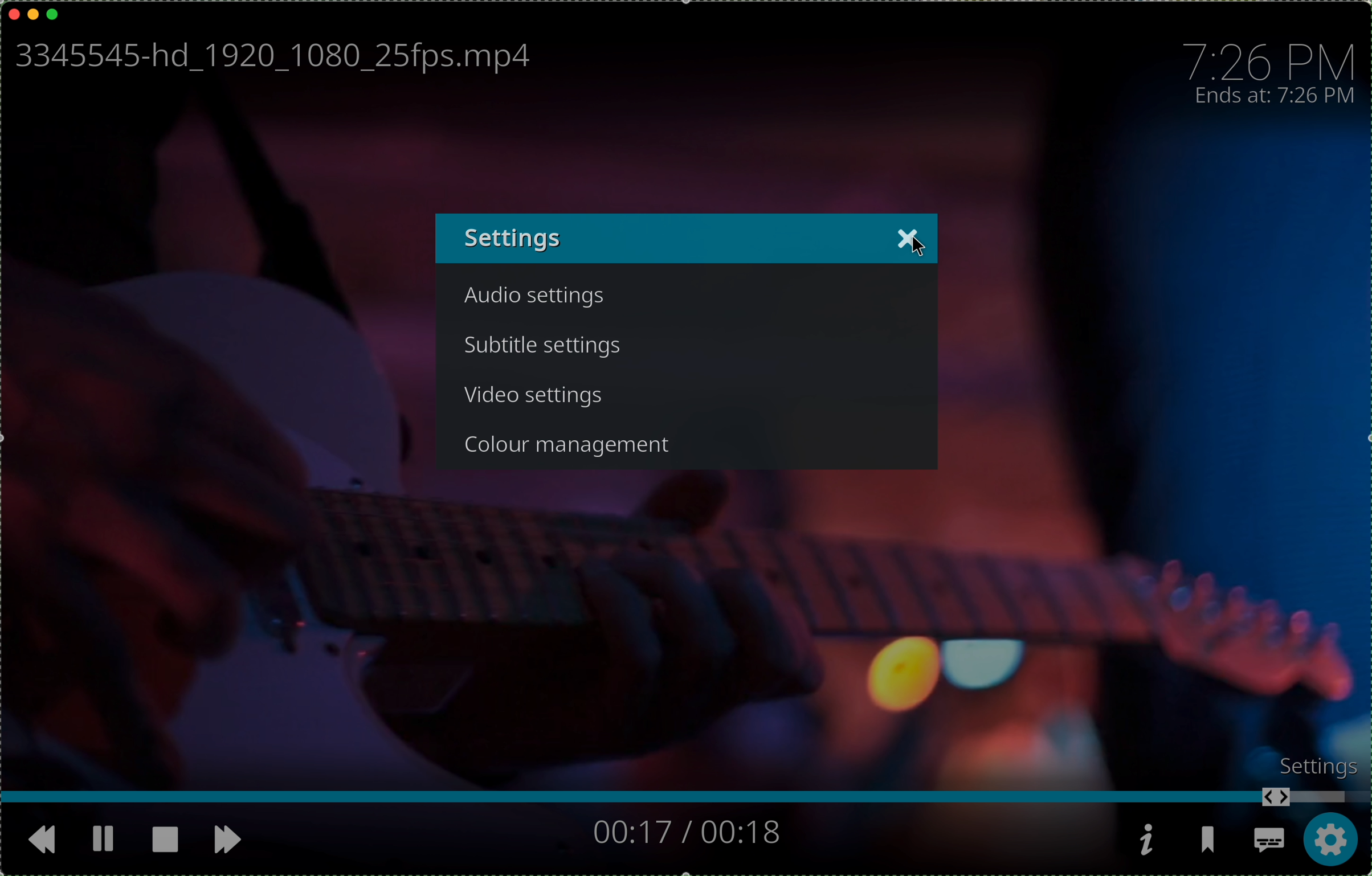 This screenshot has width=1372, height=876. Describe the element at coordinates (231, 842) in the screenshot. I see `move foward` at that location.